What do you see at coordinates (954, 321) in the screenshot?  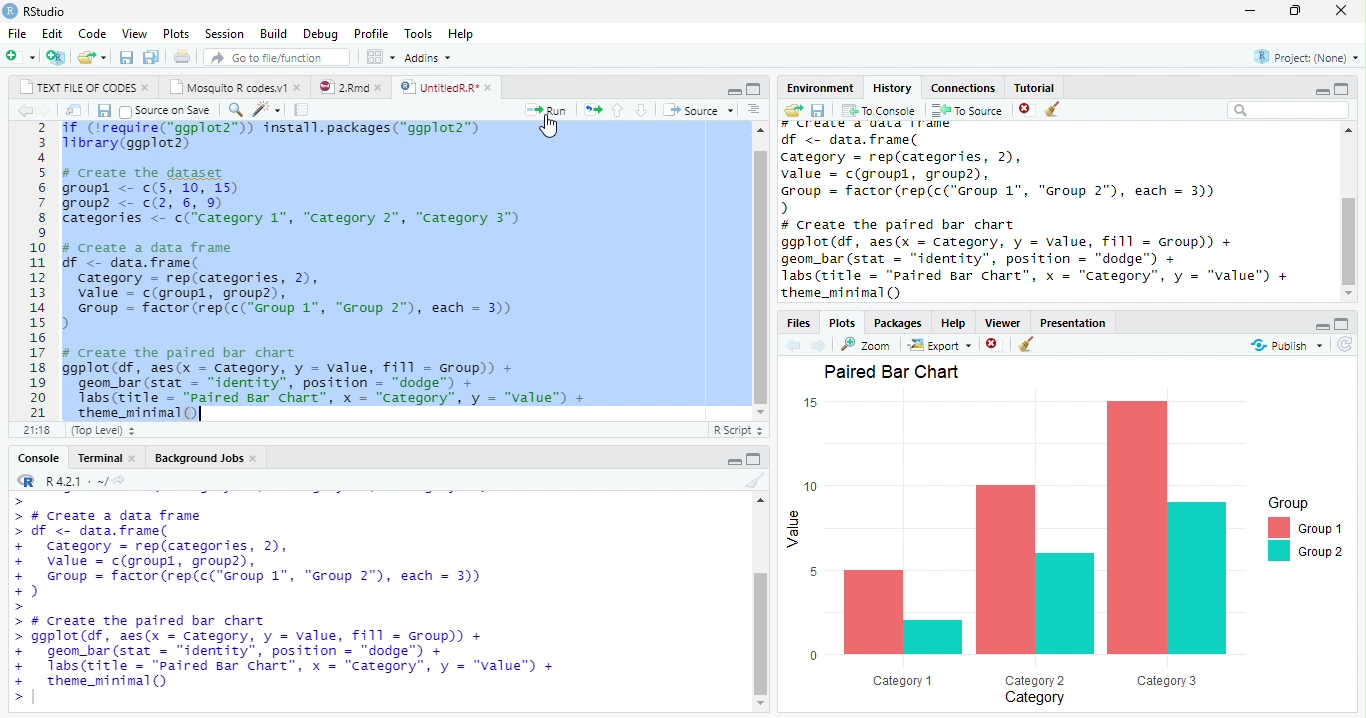 I see `help` at bounding box center [954, 321].